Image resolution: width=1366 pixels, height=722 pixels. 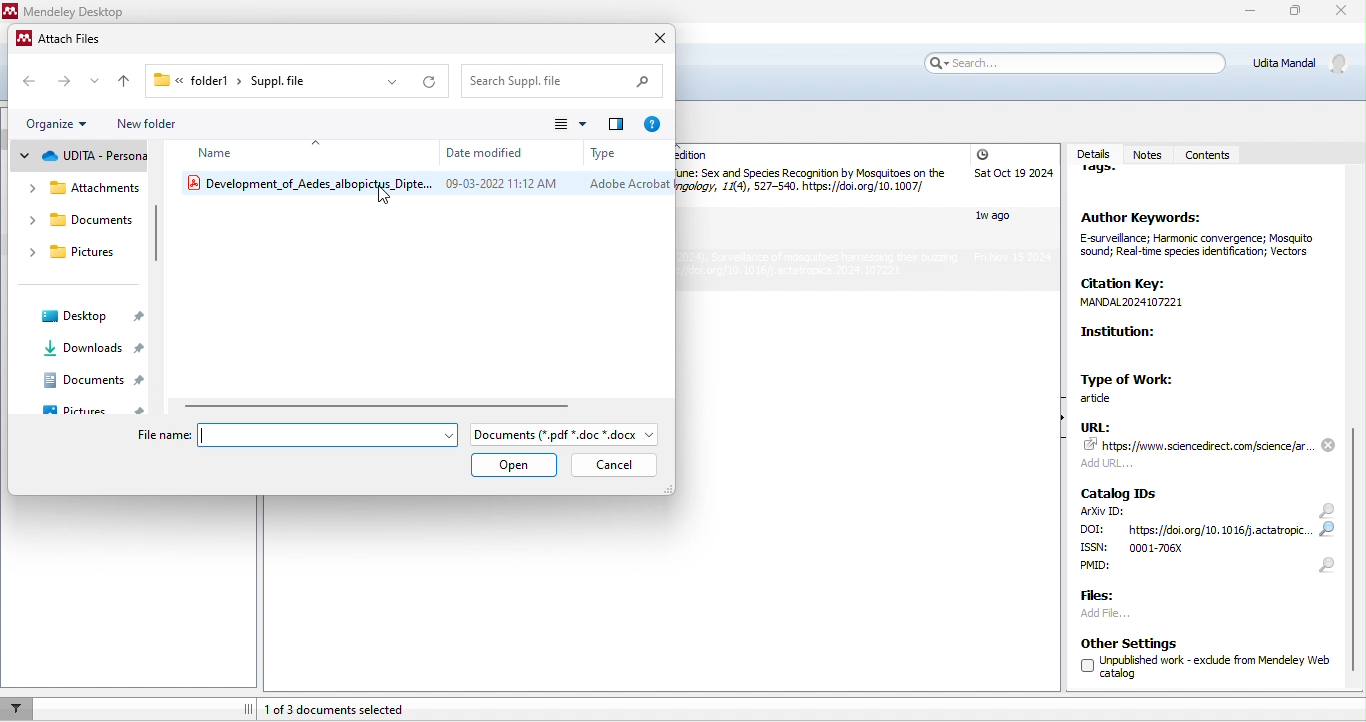 What do you see at coordinates (79, 187) in the screenshot?
I see `attachment` at bounding box center [79, 187].